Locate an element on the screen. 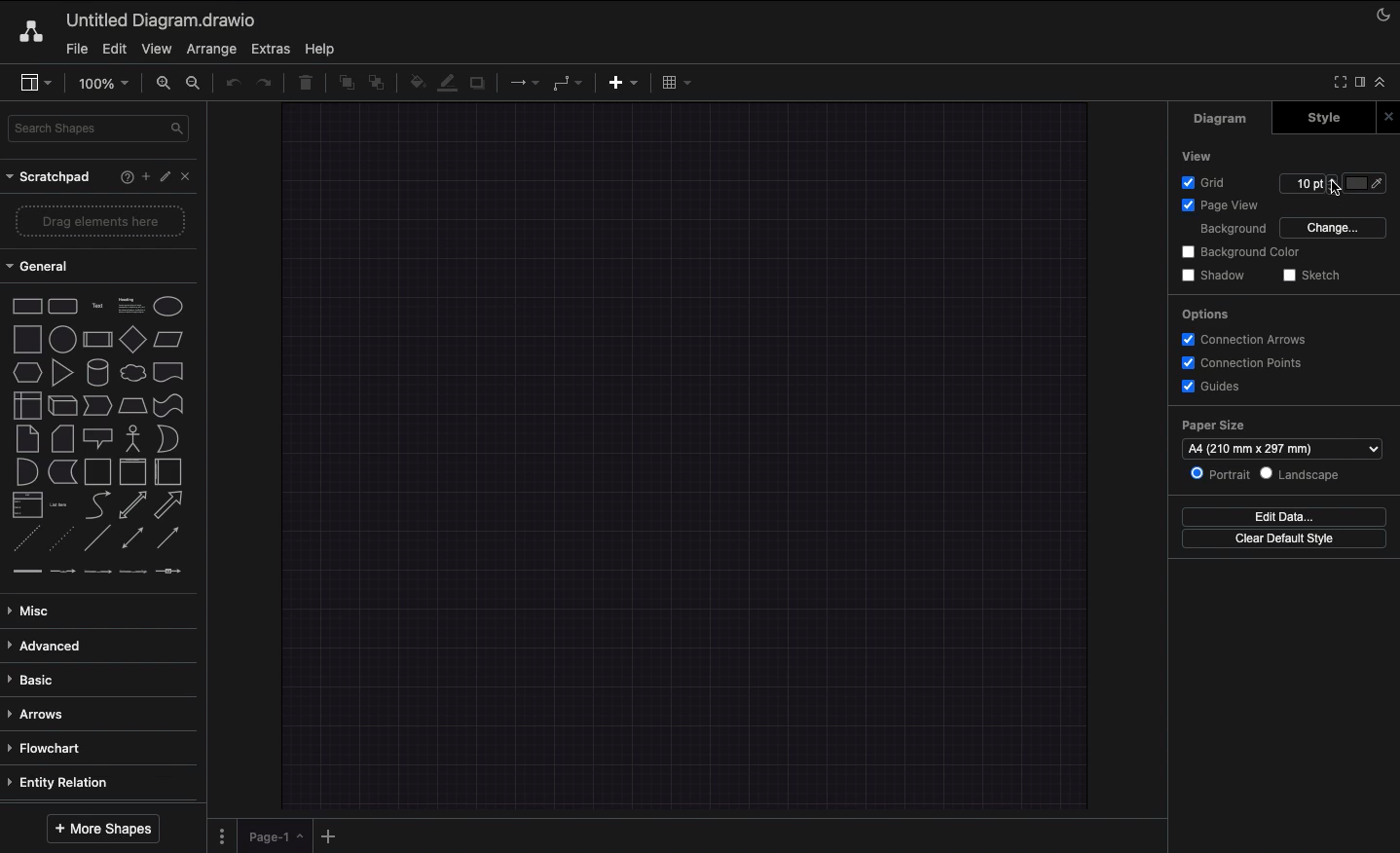  Flowchart is located at coordinates (55, 748).